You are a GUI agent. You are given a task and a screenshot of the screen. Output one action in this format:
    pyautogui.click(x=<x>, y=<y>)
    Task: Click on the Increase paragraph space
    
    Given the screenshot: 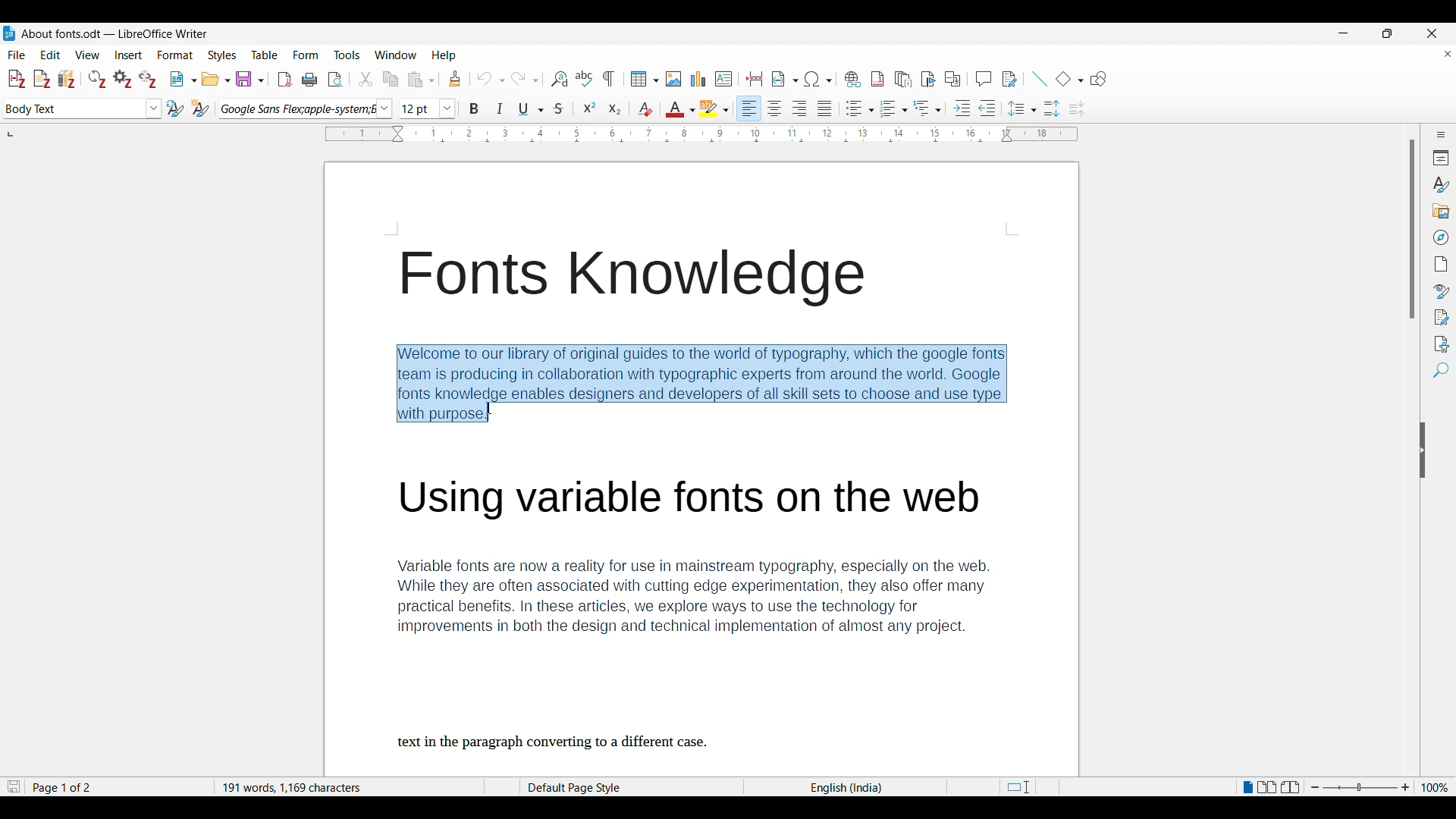 What is the action you would take?
    pyautogui.click(x=1053, y=108)
    